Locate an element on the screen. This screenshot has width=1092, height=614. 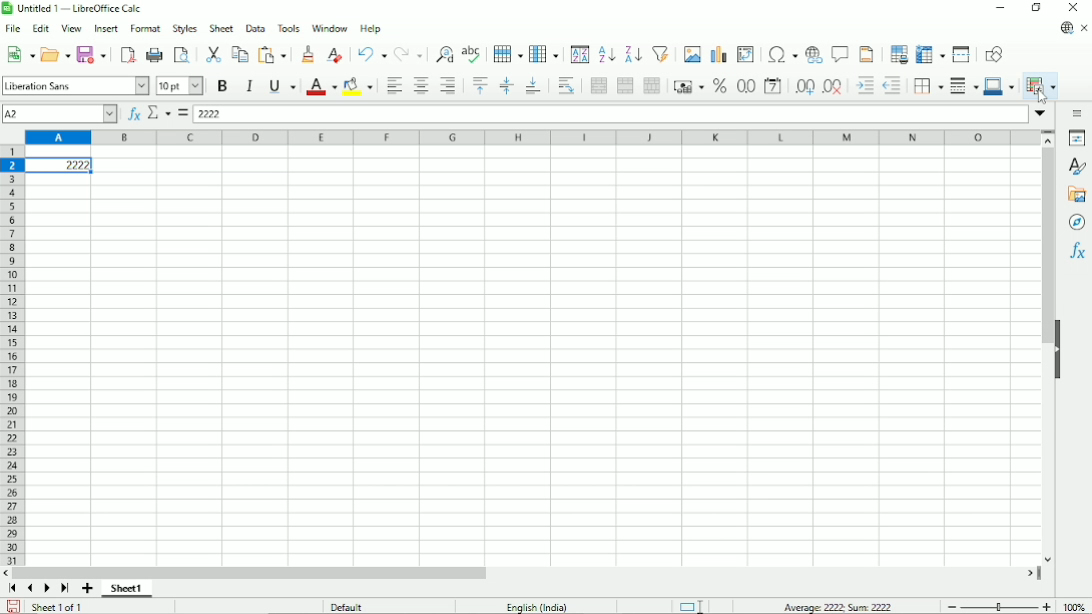
Insert special characters is located at coordinates (780, 53).